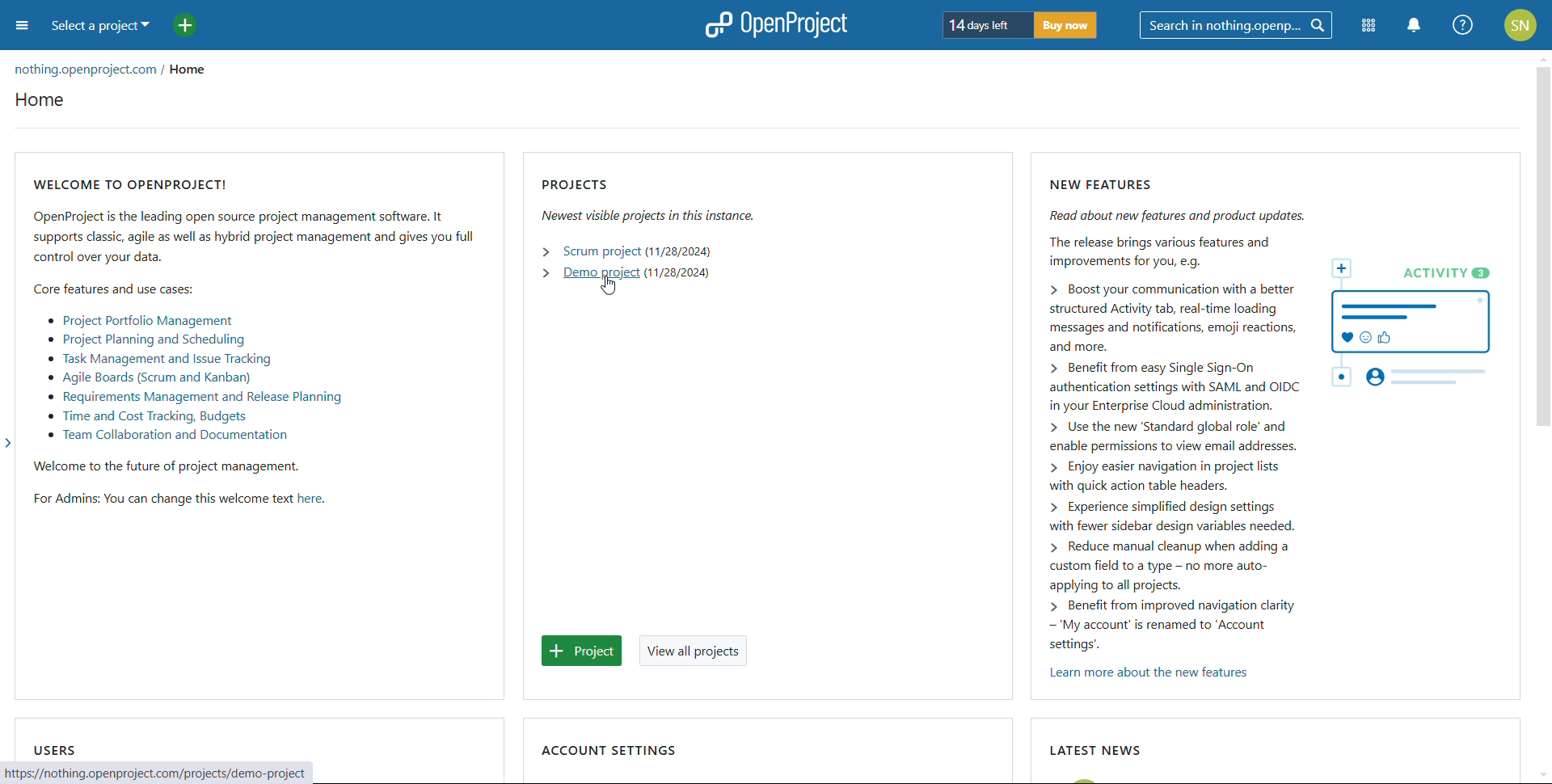  What do you see at coordinates (196, 70) in the screenshot?
I see `home` at bounding box center [196, 70].